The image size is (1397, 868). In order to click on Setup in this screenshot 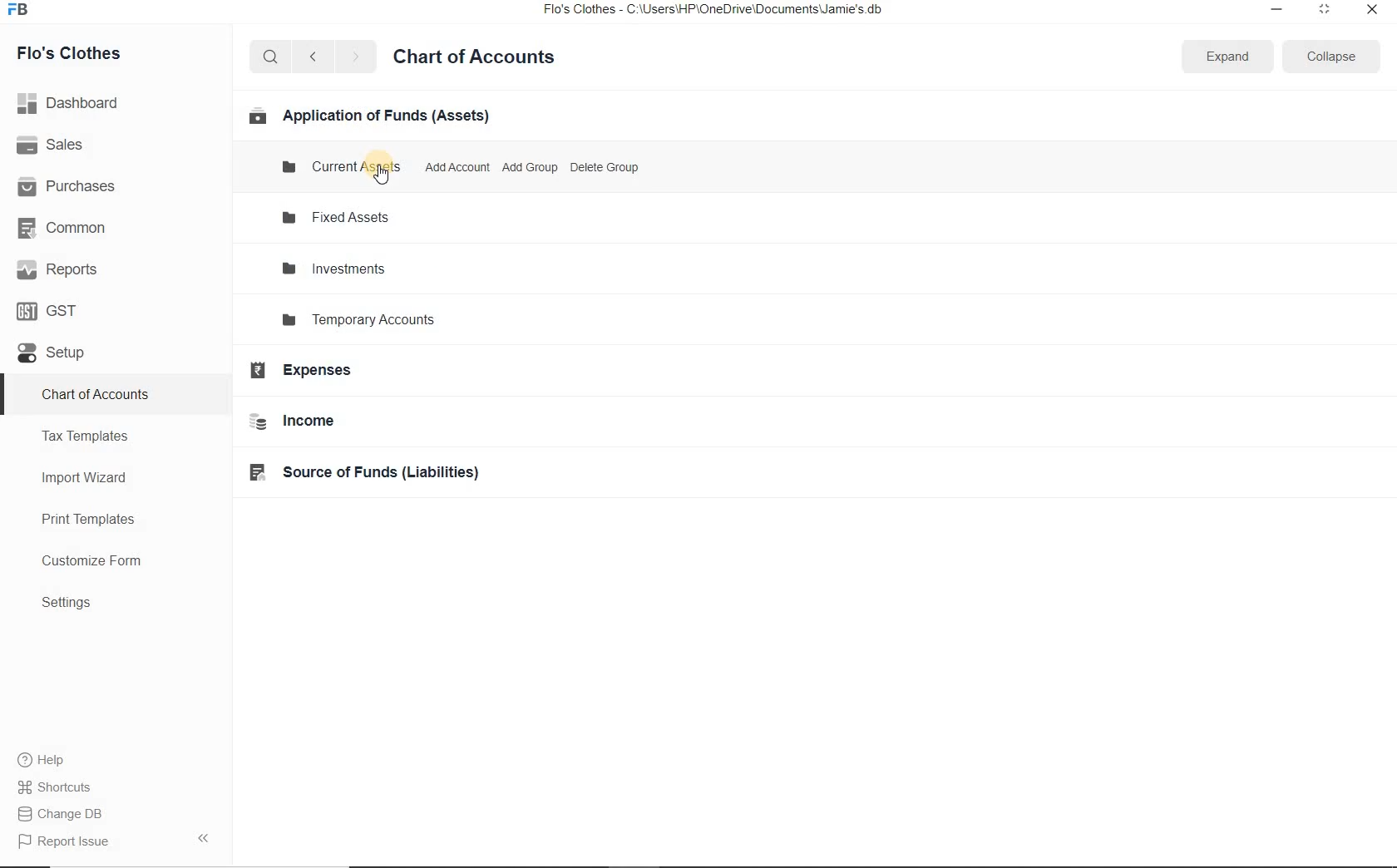, I will do `click(73, 360)`.